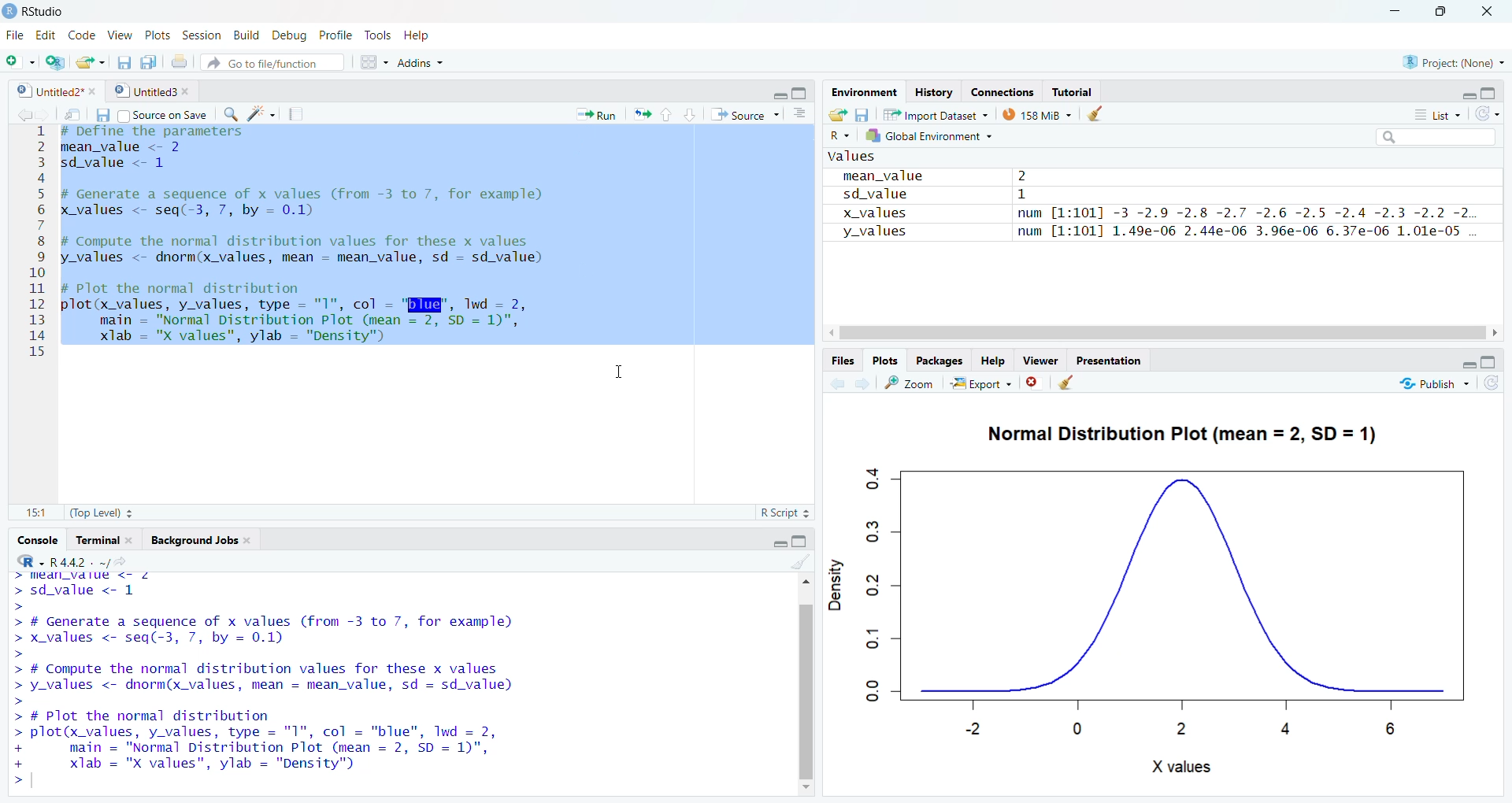 This screenshot has width=1512, height=803. Describe the element at coordinates (105, 538) in the screenshot. I see `Terminal` at that location.